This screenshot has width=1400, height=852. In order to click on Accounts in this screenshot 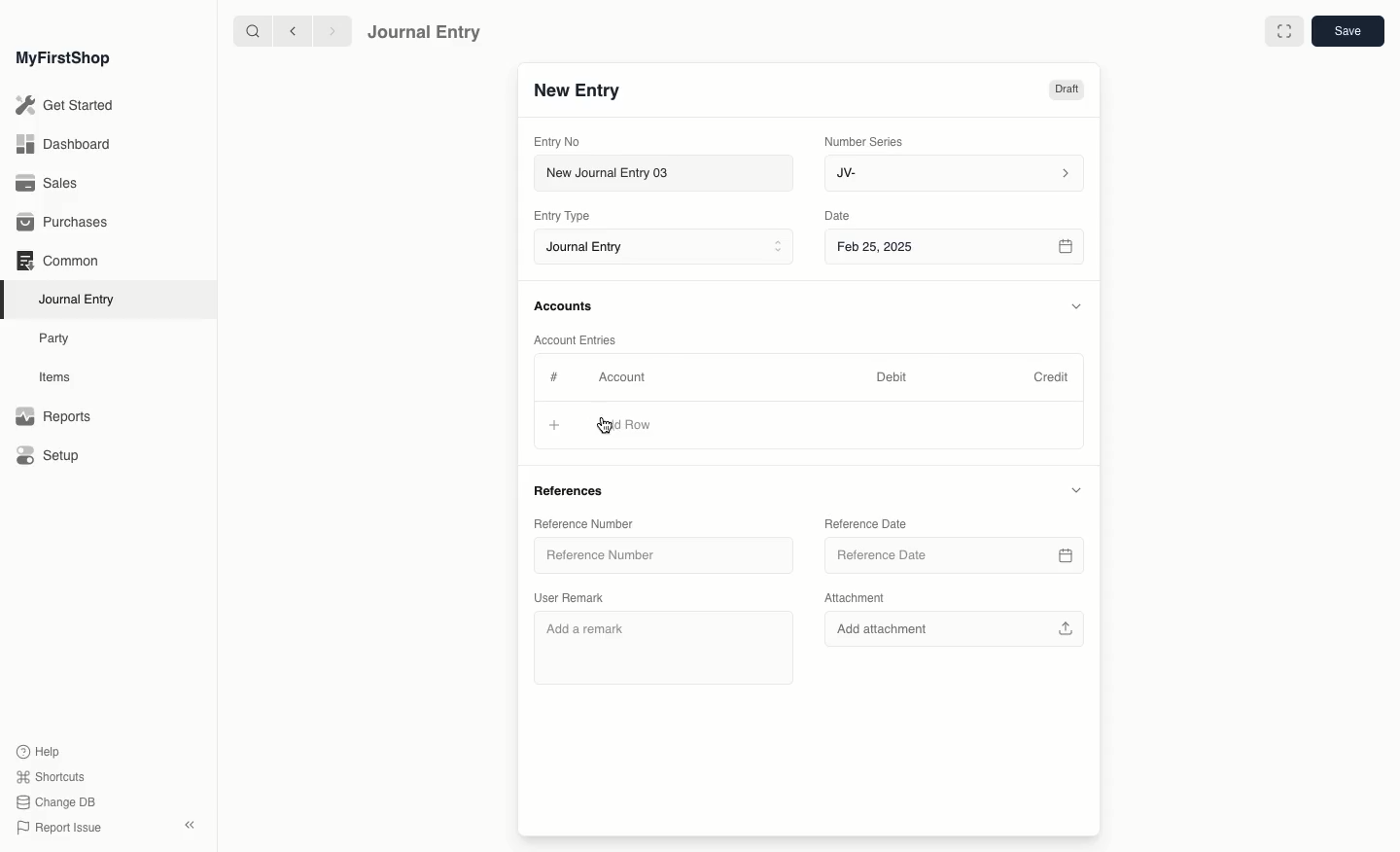, I will do `click(565, 306)`.